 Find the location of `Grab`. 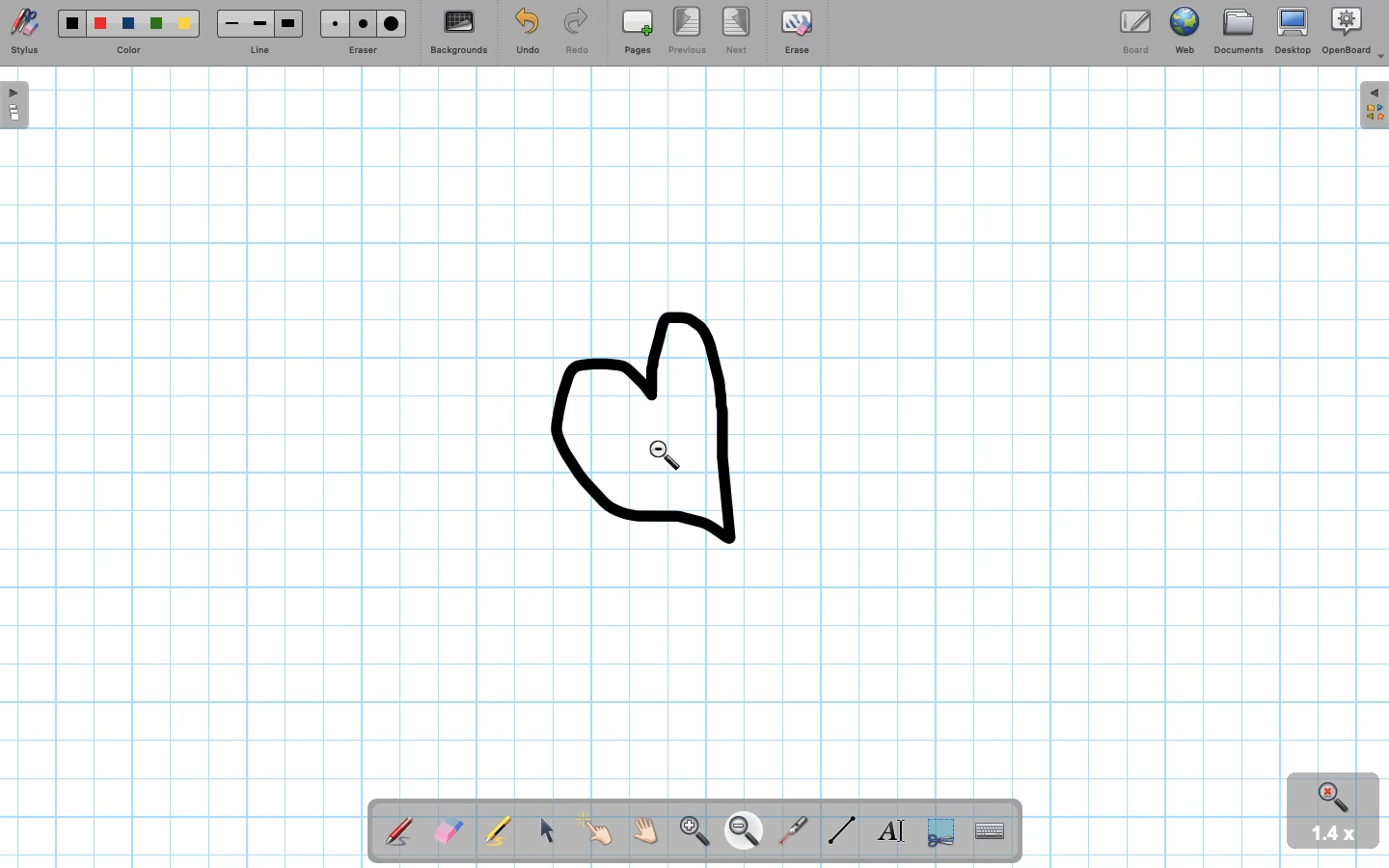

Grab is located at coordinates (646, 830).